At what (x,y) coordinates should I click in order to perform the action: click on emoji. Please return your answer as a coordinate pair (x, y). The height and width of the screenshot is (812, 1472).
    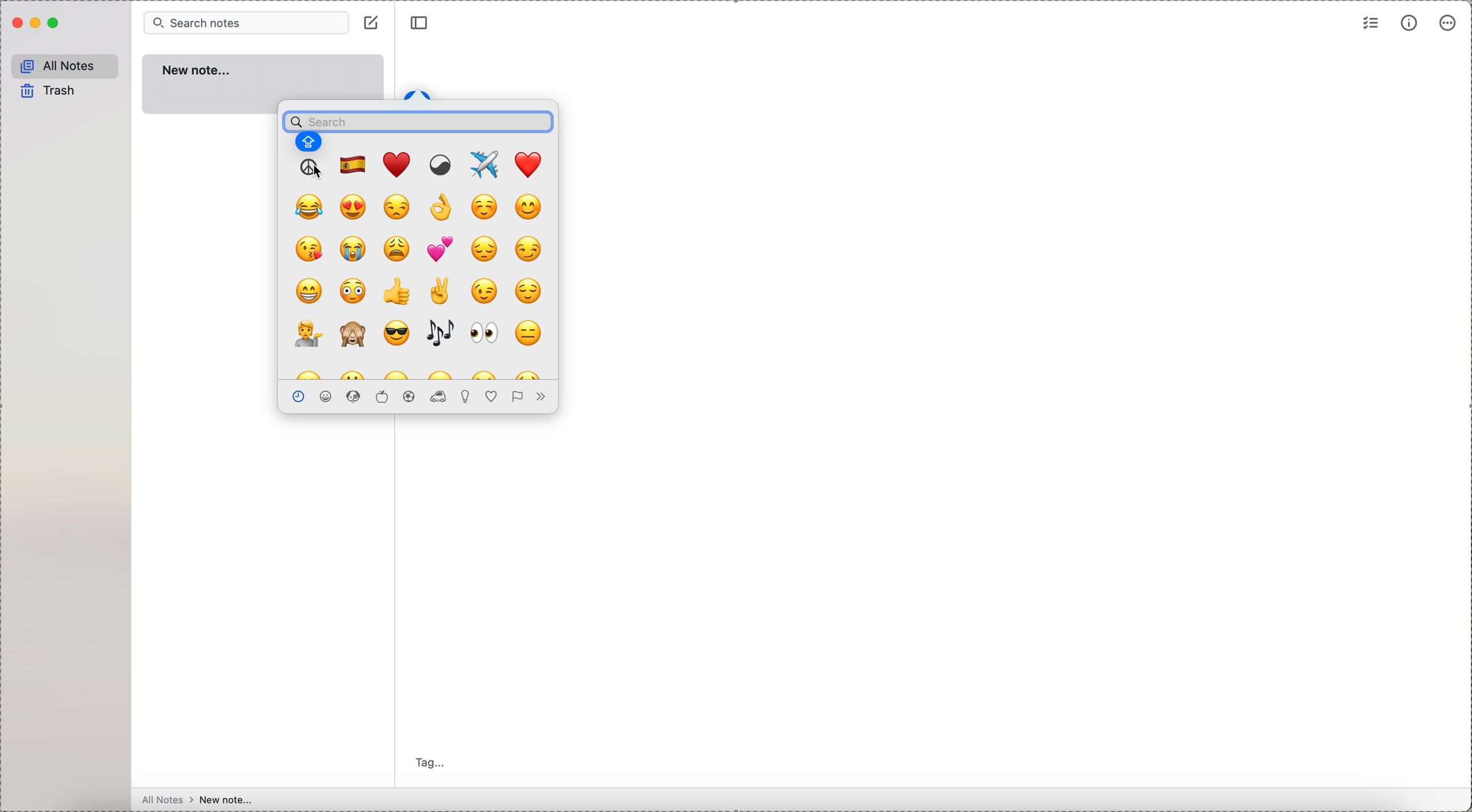
    Looking at the image, I should click on (309, 291).